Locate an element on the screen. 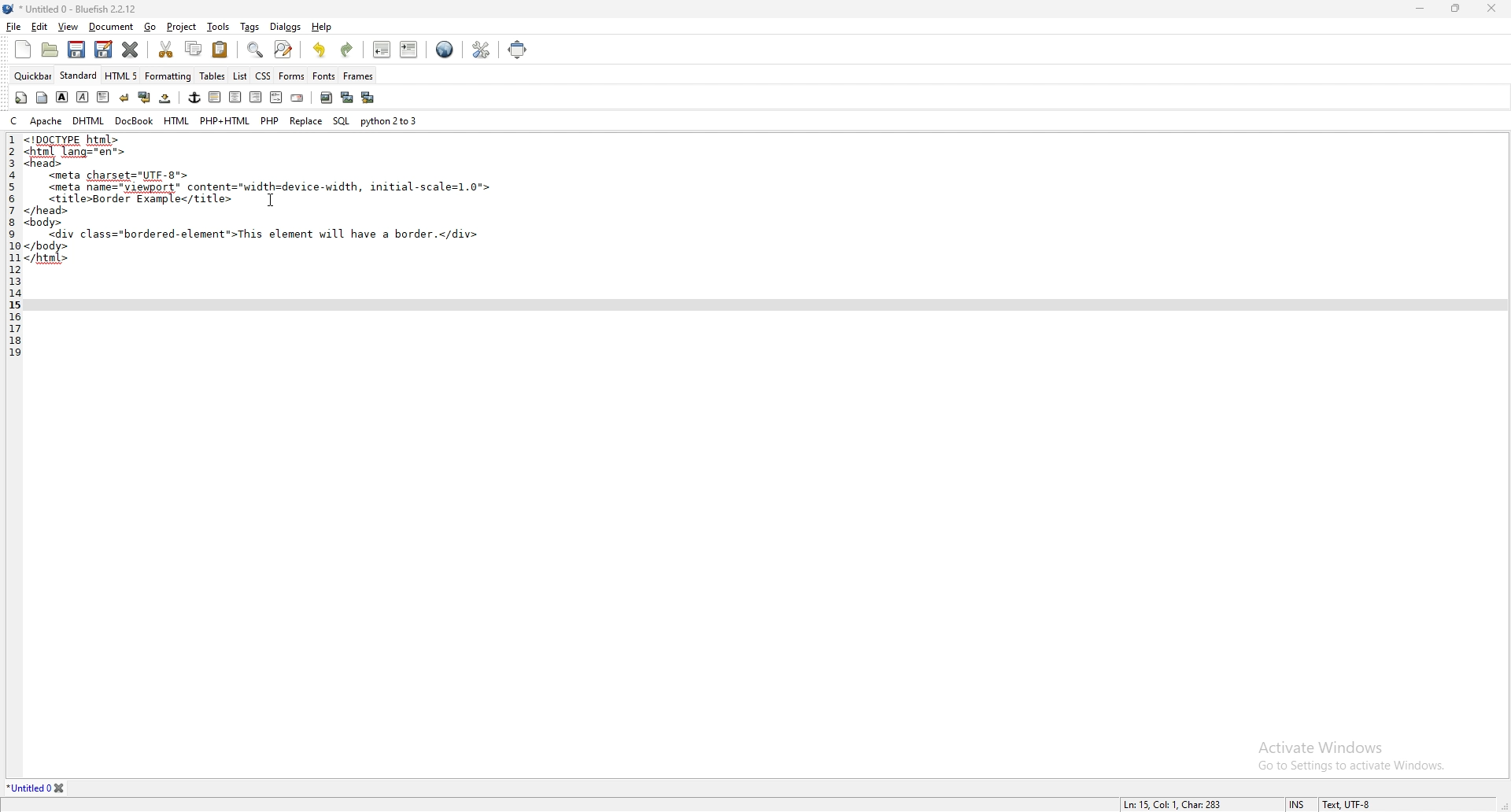 The height and width of the screenshot is (812, 1511). dhtml is located at coordinates (90, 120).